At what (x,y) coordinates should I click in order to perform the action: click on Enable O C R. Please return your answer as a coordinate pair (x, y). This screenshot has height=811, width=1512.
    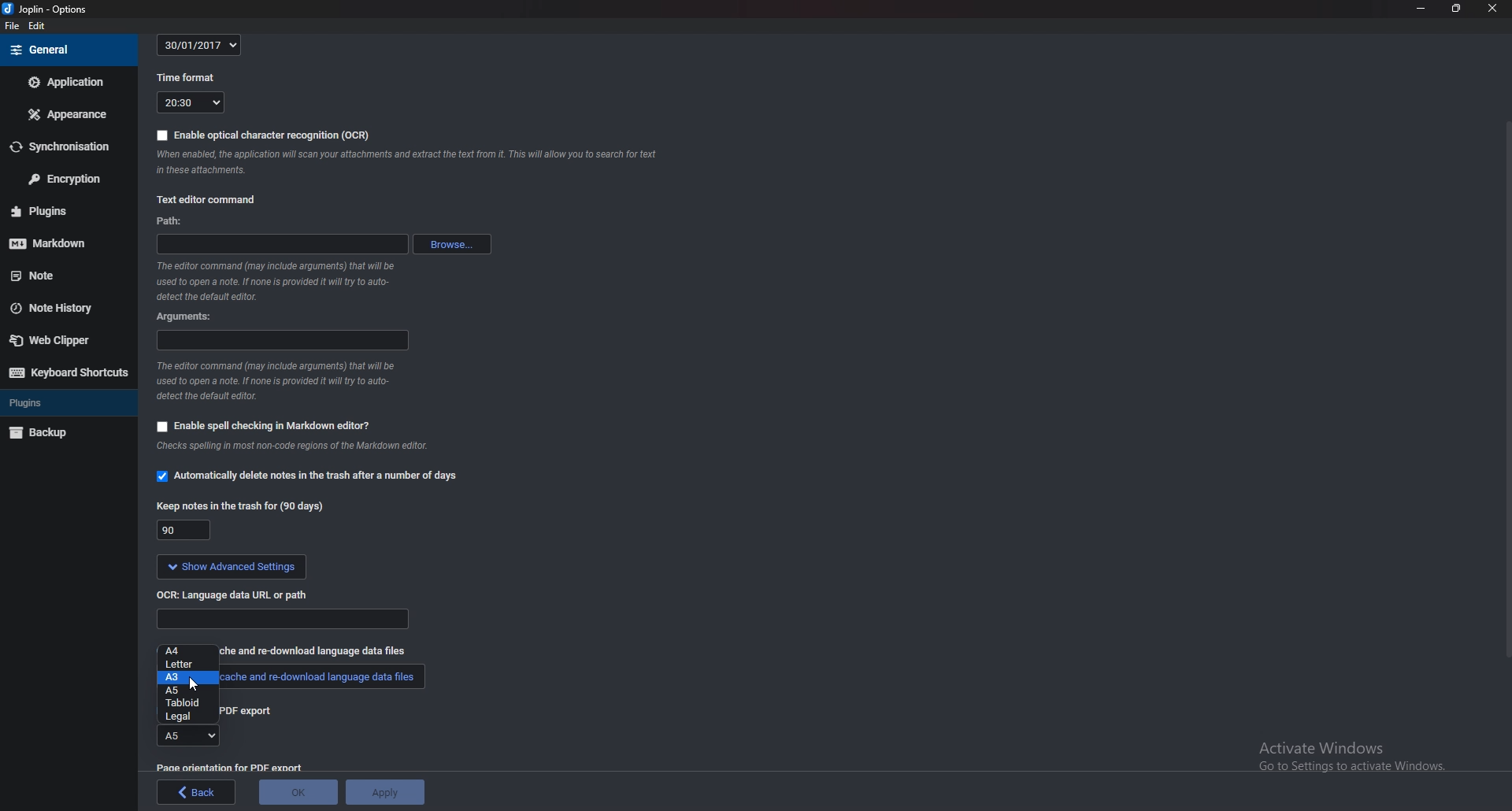
    Looking at the image, I should click on (261, 136).